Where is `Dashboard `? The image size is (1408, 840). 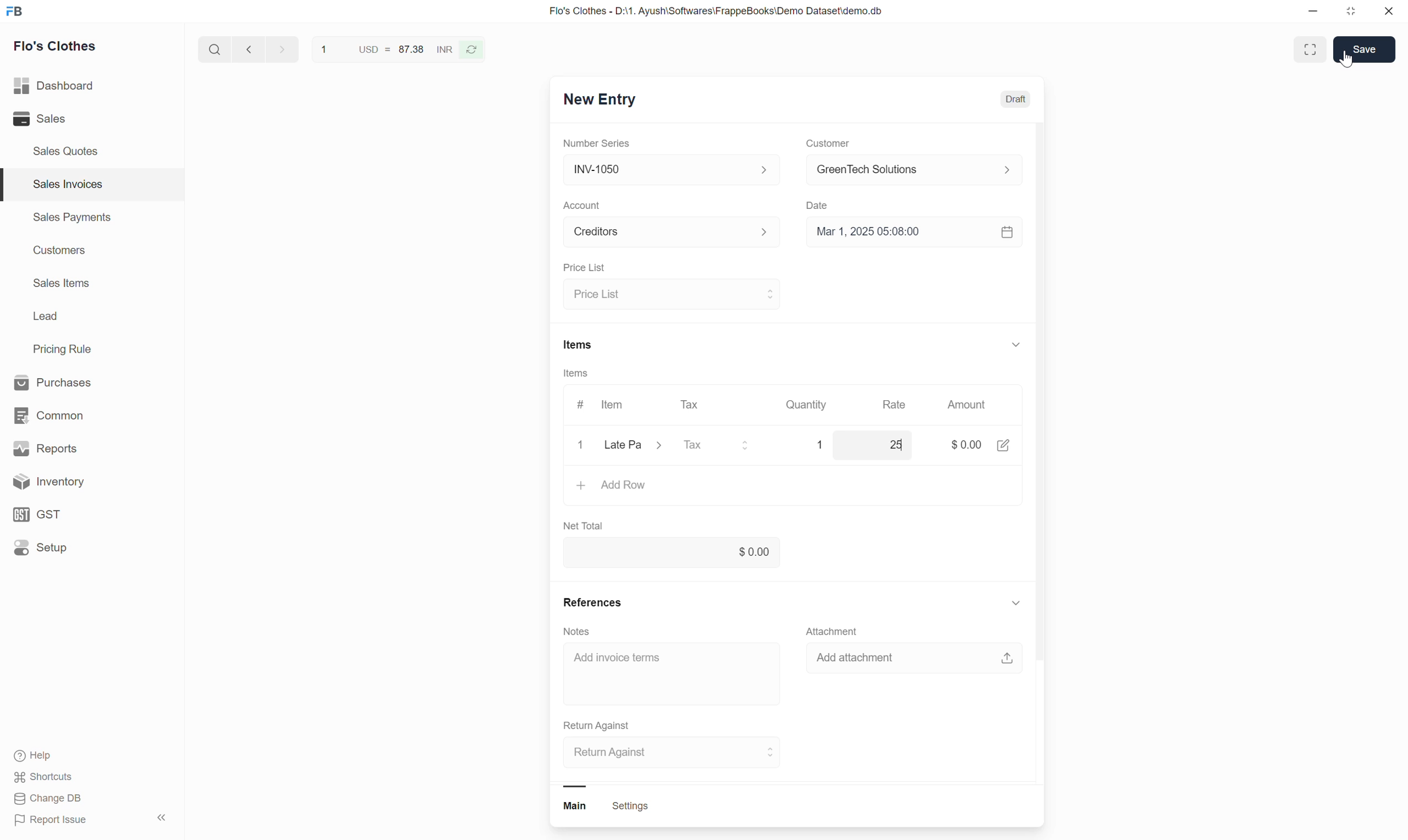 Dashboard  is located at coordinates (74, 86).